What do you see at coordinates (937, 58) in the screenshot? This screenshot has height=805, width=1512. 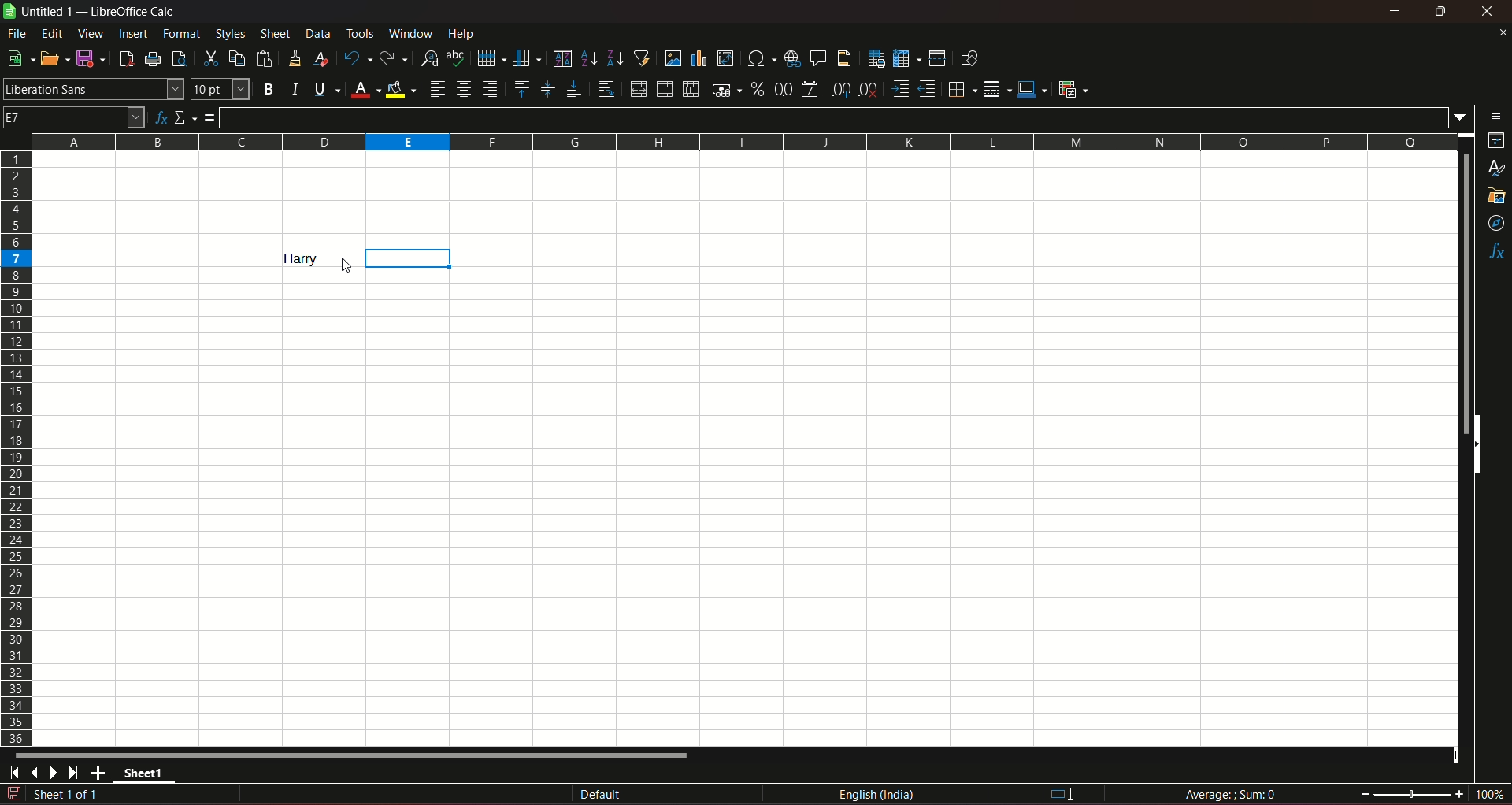 I see `split window` at bounding box center [937, 58].